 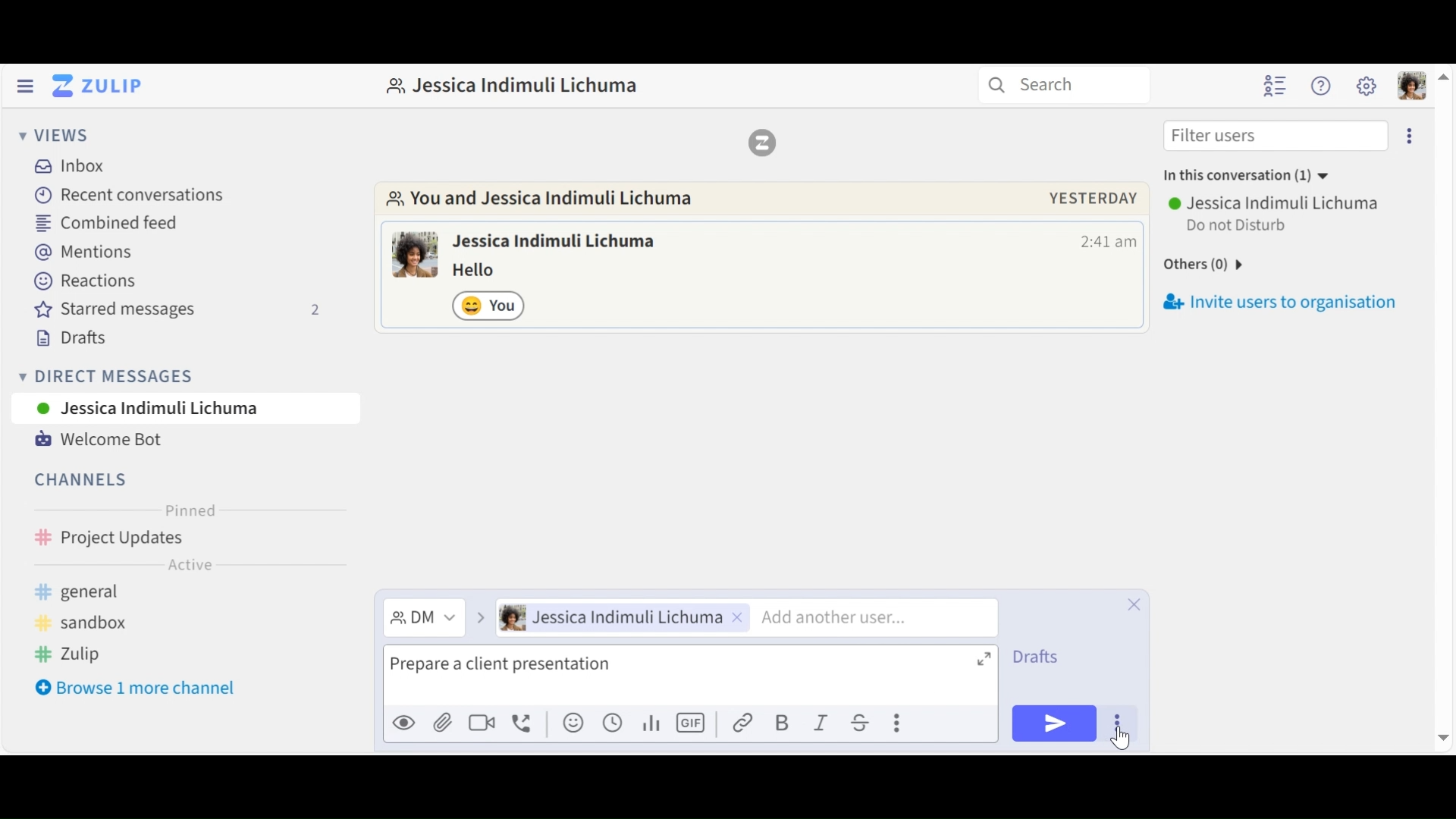 I want to click on Direct Messages, so click(x=181, y=375).